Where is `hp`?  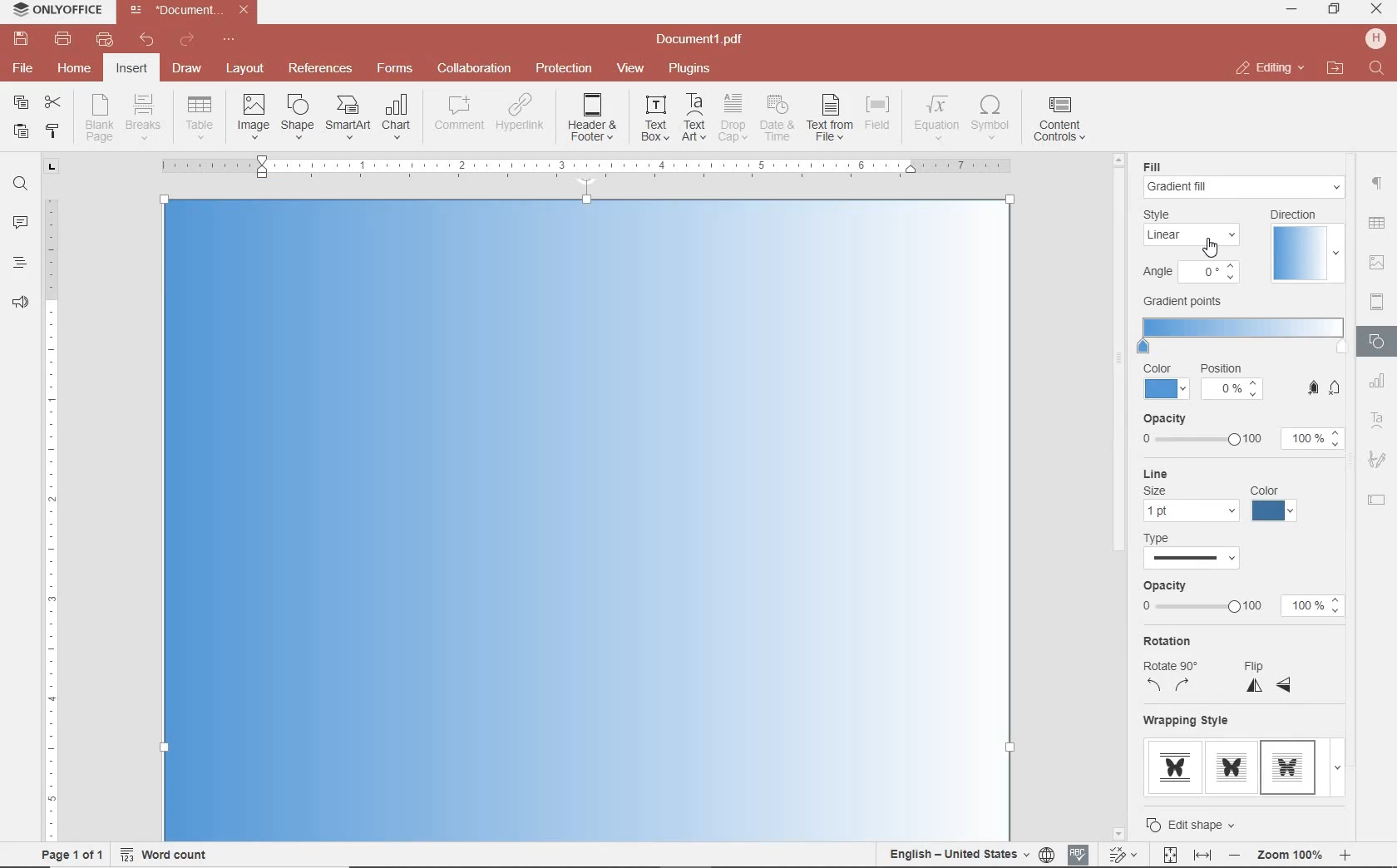 hp is located at coordinates (1379, 38).